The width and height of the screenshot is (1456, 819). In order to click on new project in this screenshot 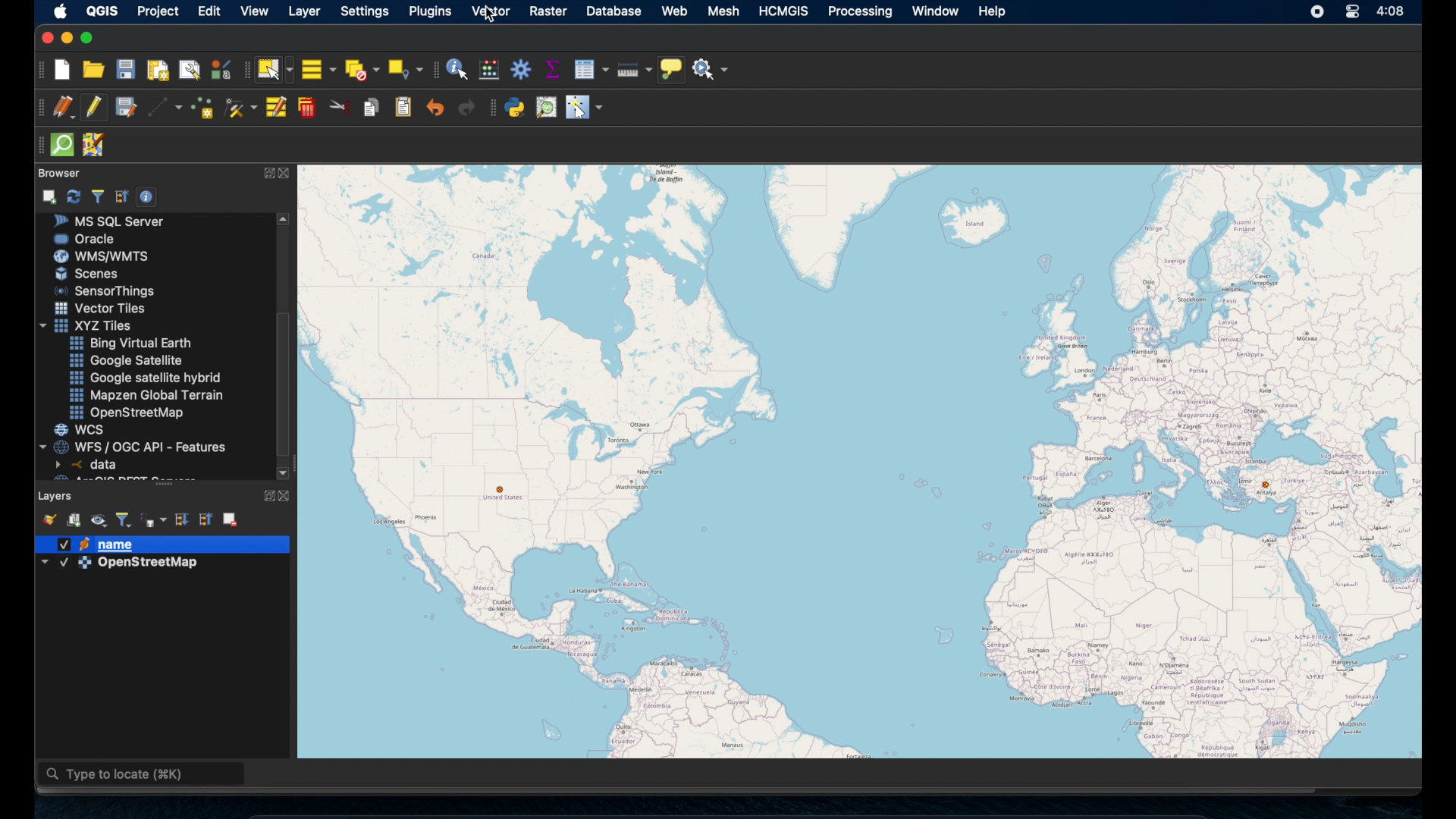, I will do `click(63, 70)`.